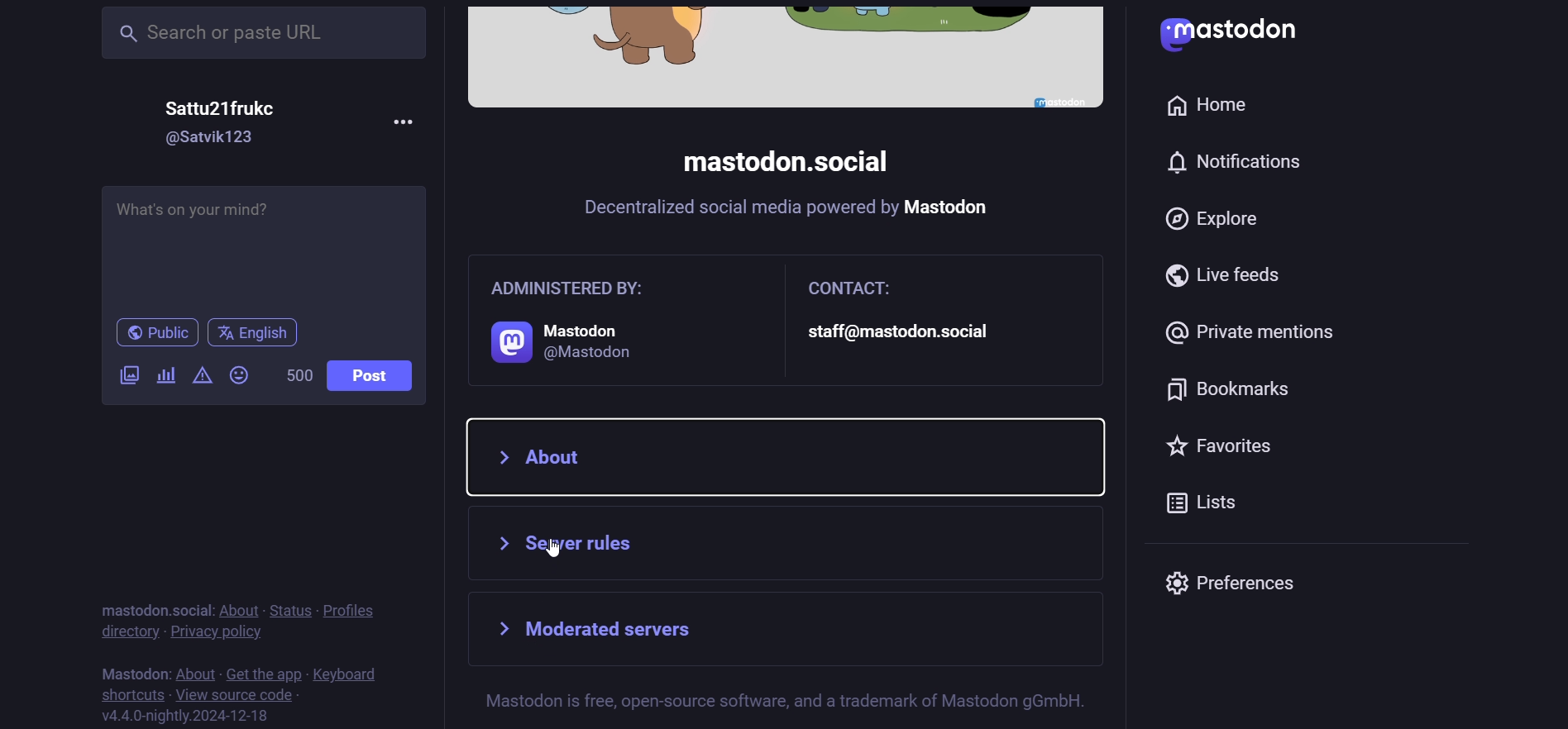 This screenshot has width=1568, height=729. I want to click on server rules, so click(767, 546).